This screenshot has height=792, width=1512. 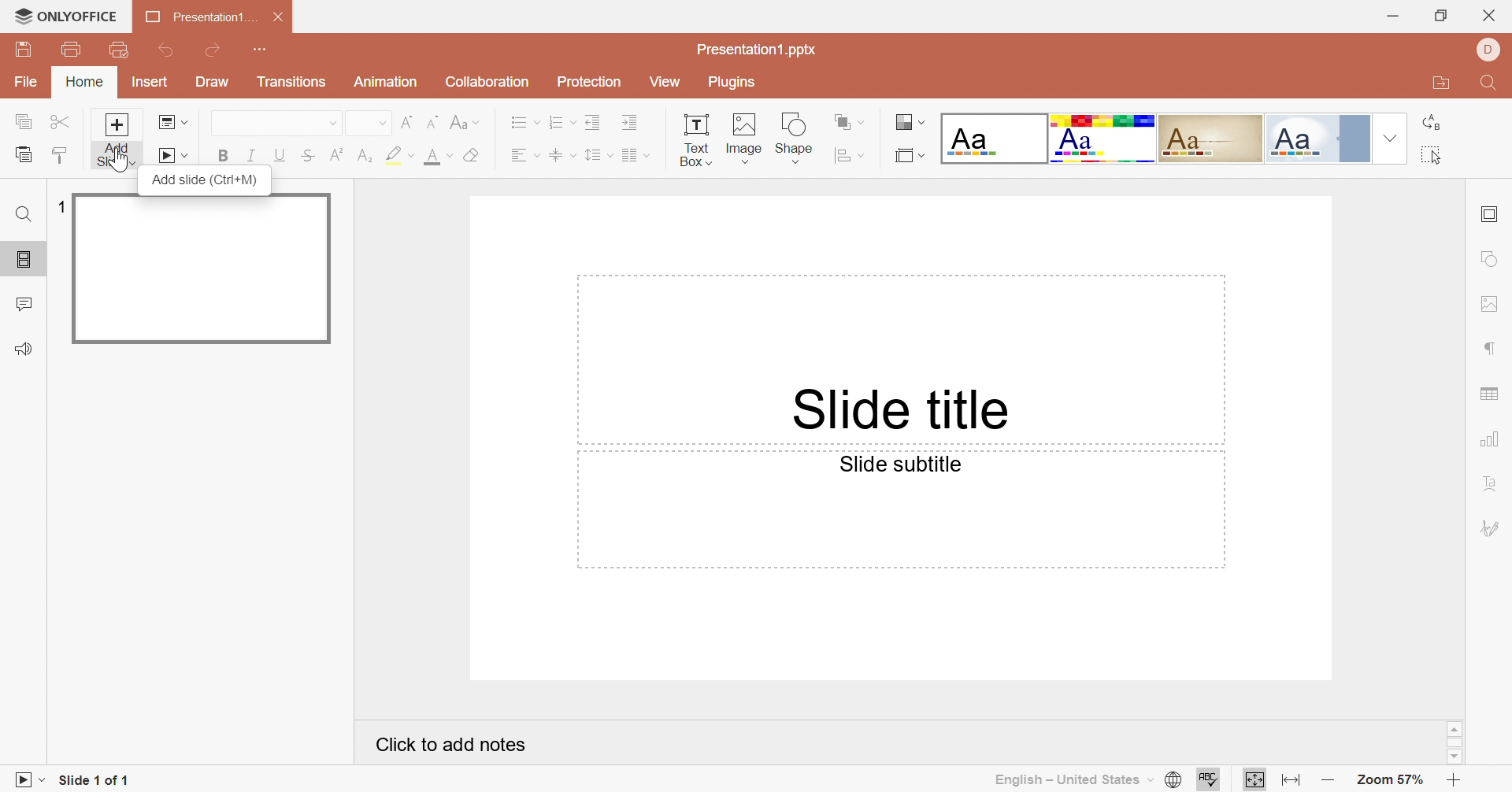 What do you see at coordinates (1452, 743) in the screenshot?
I see `scroll bar` at bounding box center [1452, 743].